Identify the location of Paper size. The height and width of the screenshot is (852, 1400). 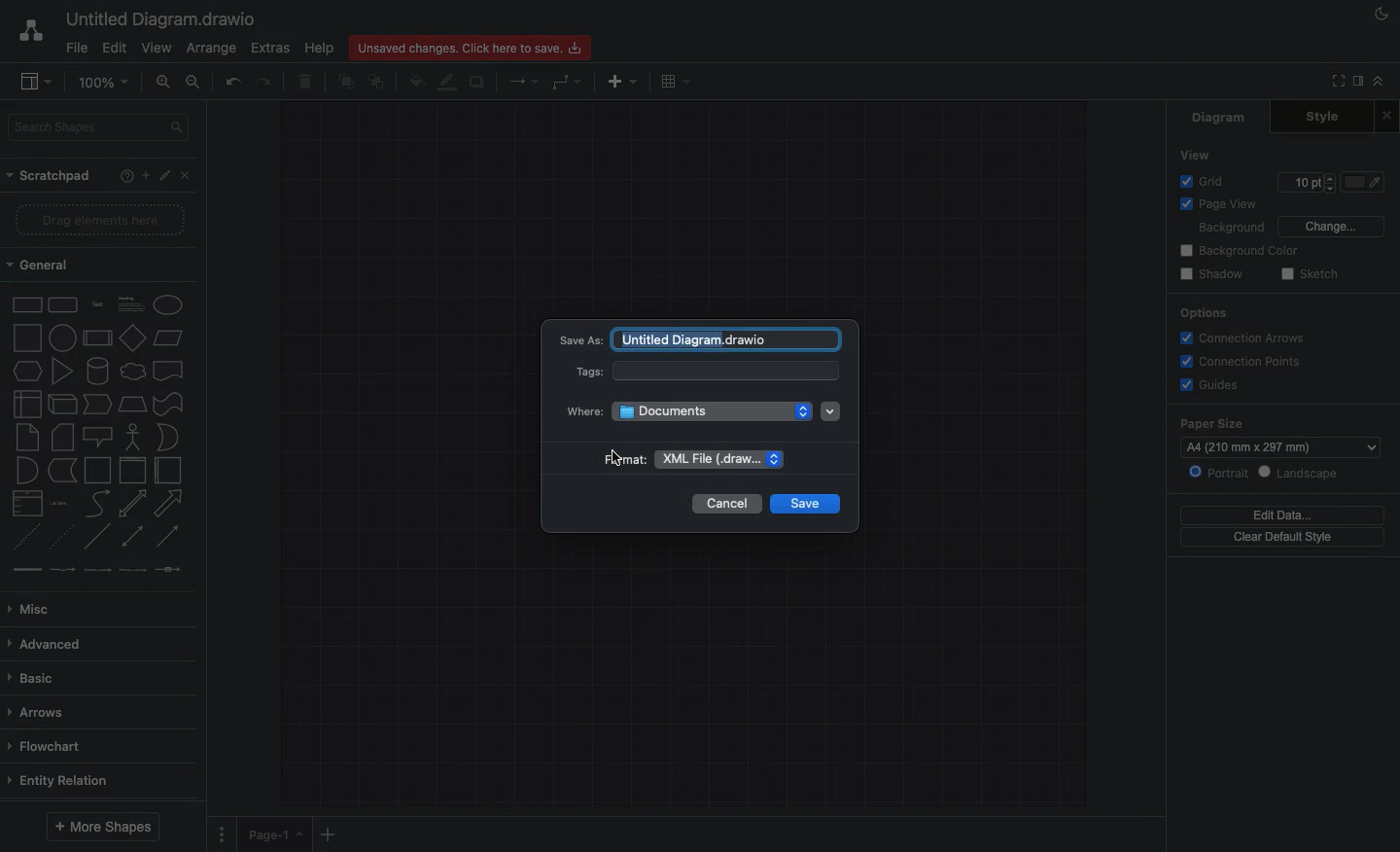
(1273, 422).